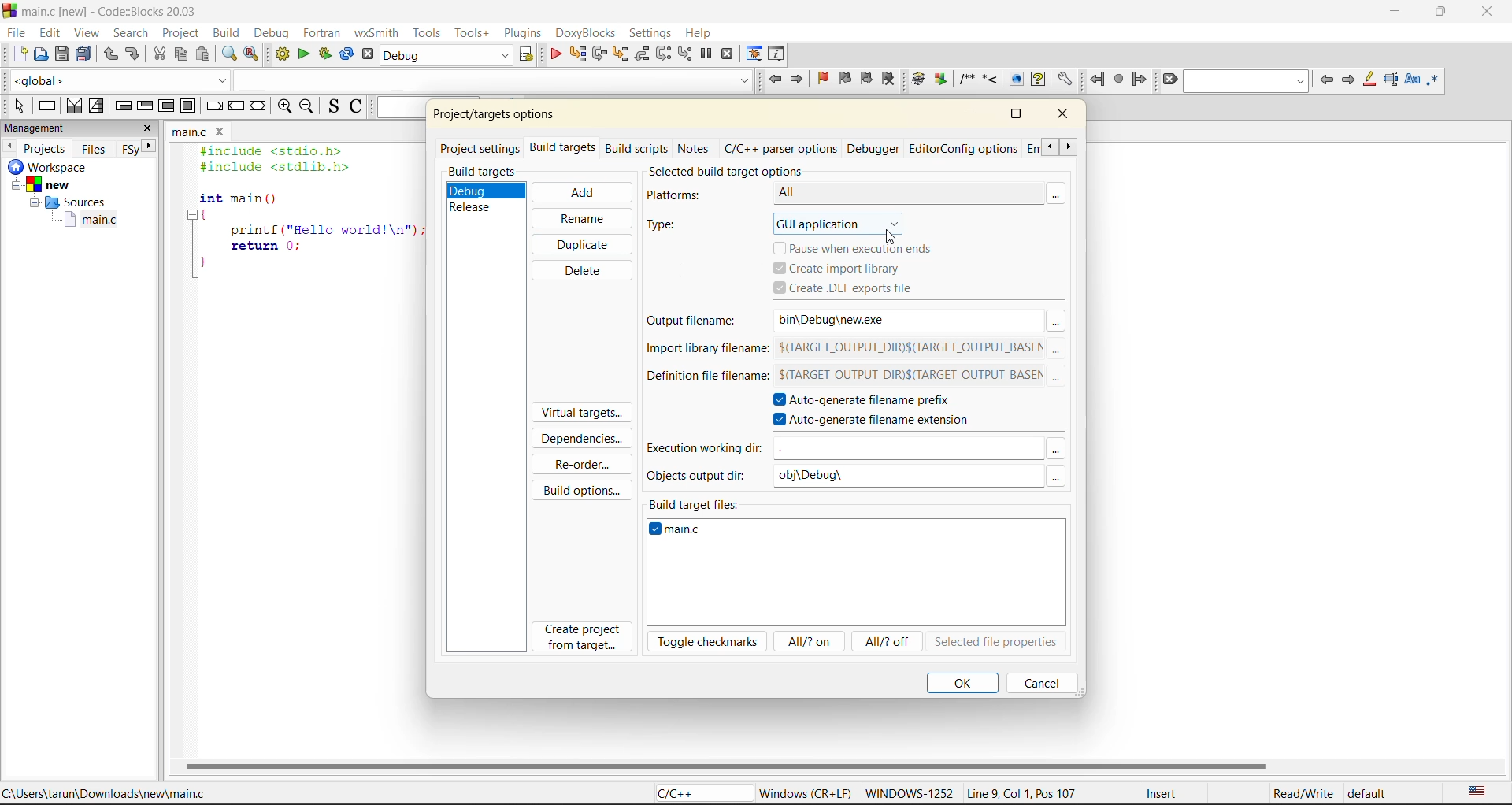 This screenshot has height=805, width=1512. I want to click on ok, so click(962, 682).